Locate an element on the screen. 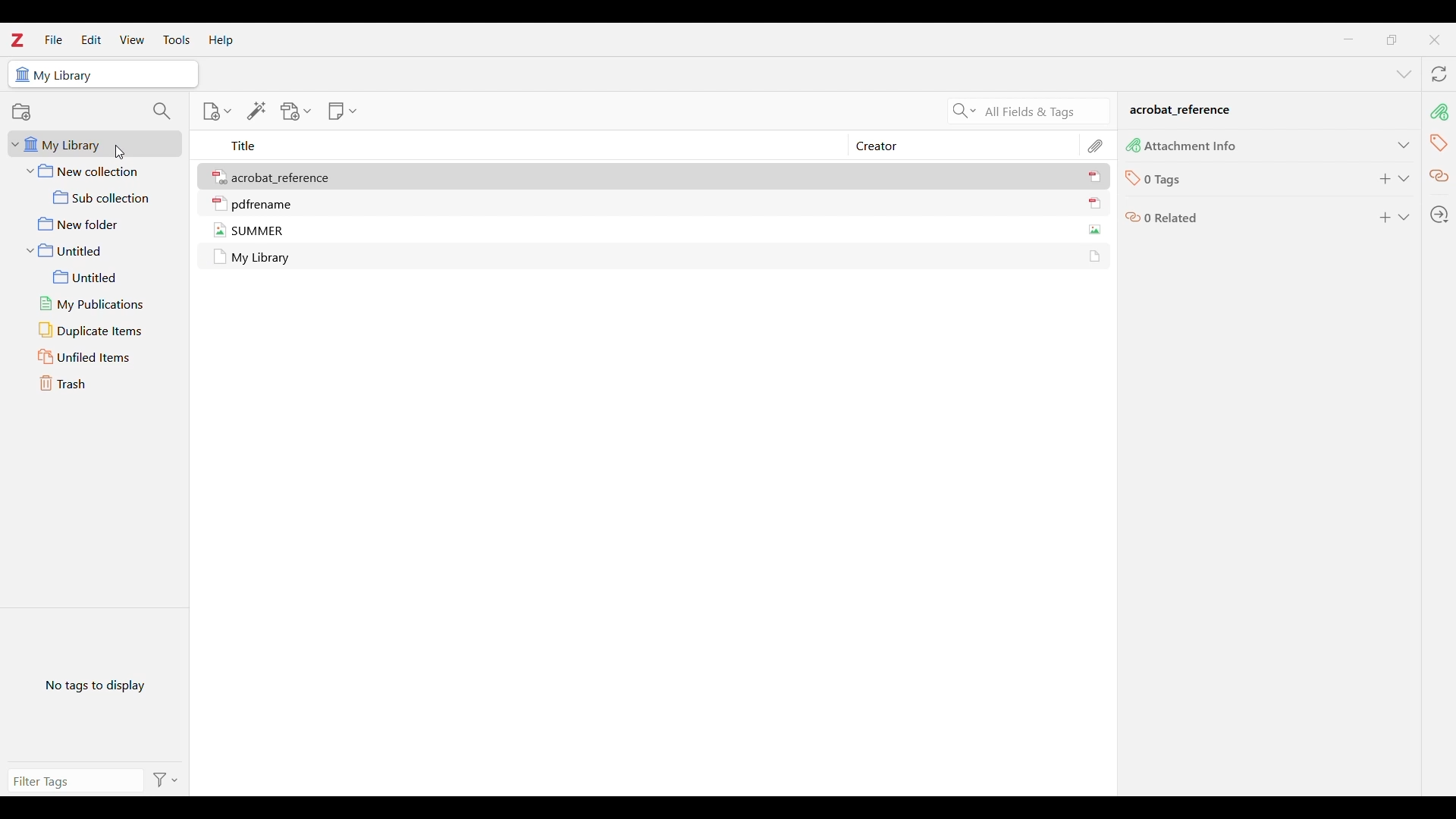  icon is located at coordinates (220, 257).